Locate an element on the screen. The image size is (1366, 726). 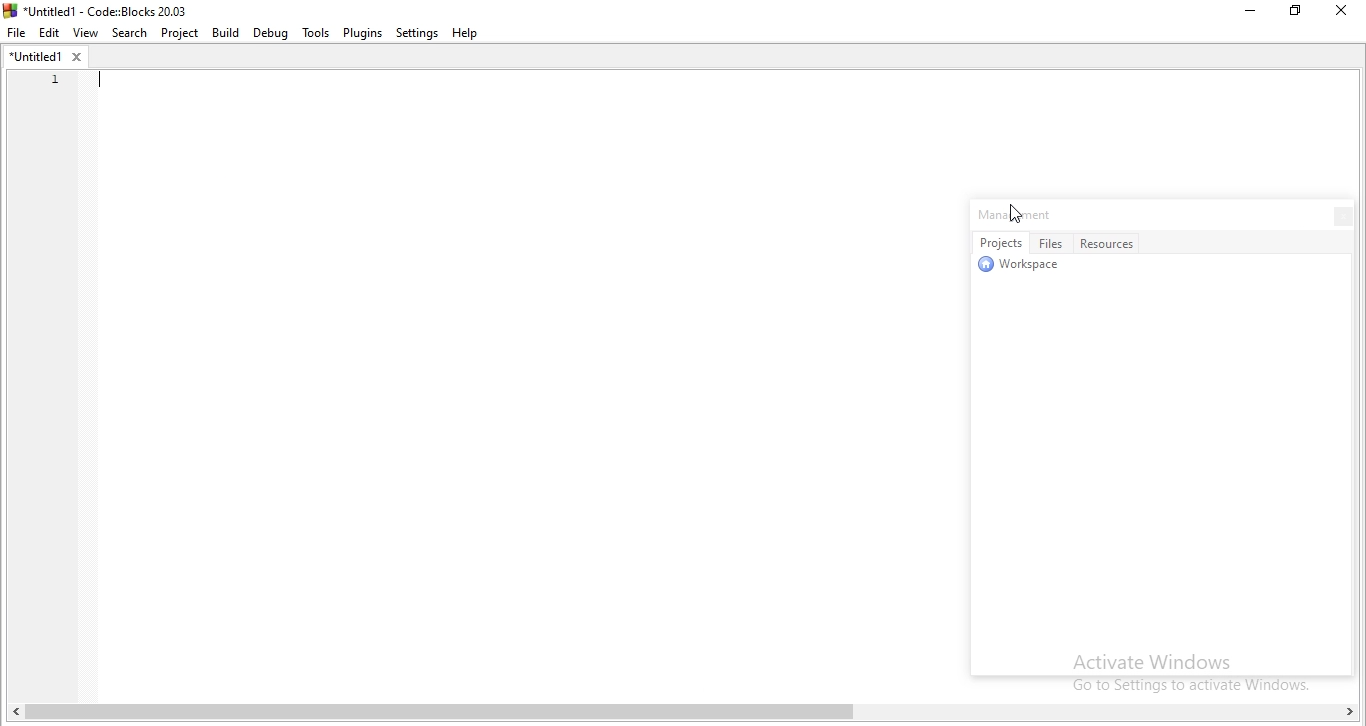
Edit  is located at coordinates (51, 31).